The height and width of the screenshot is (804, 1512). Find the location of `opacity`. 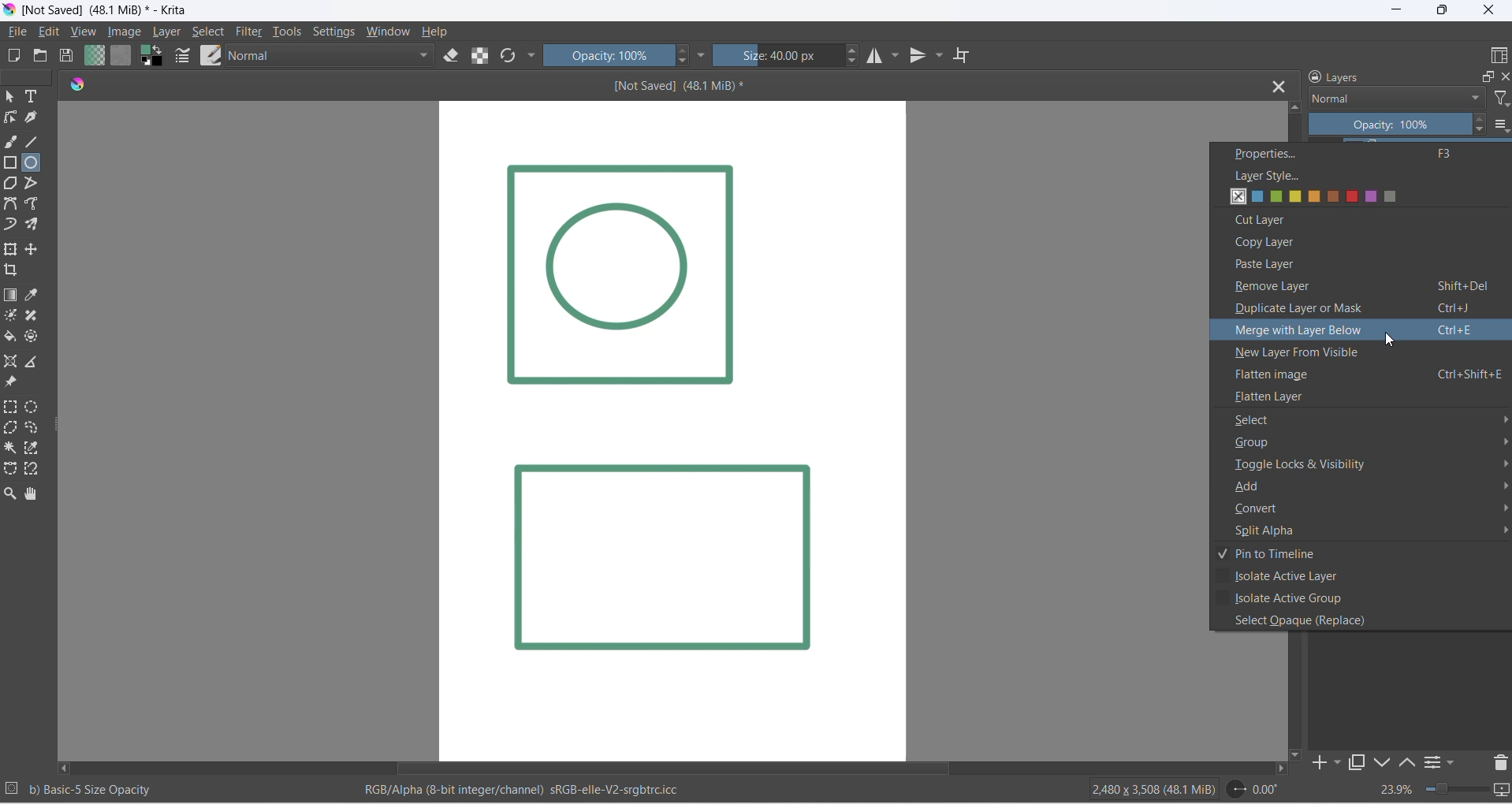

opacity is located at coordinates (1399, 124).